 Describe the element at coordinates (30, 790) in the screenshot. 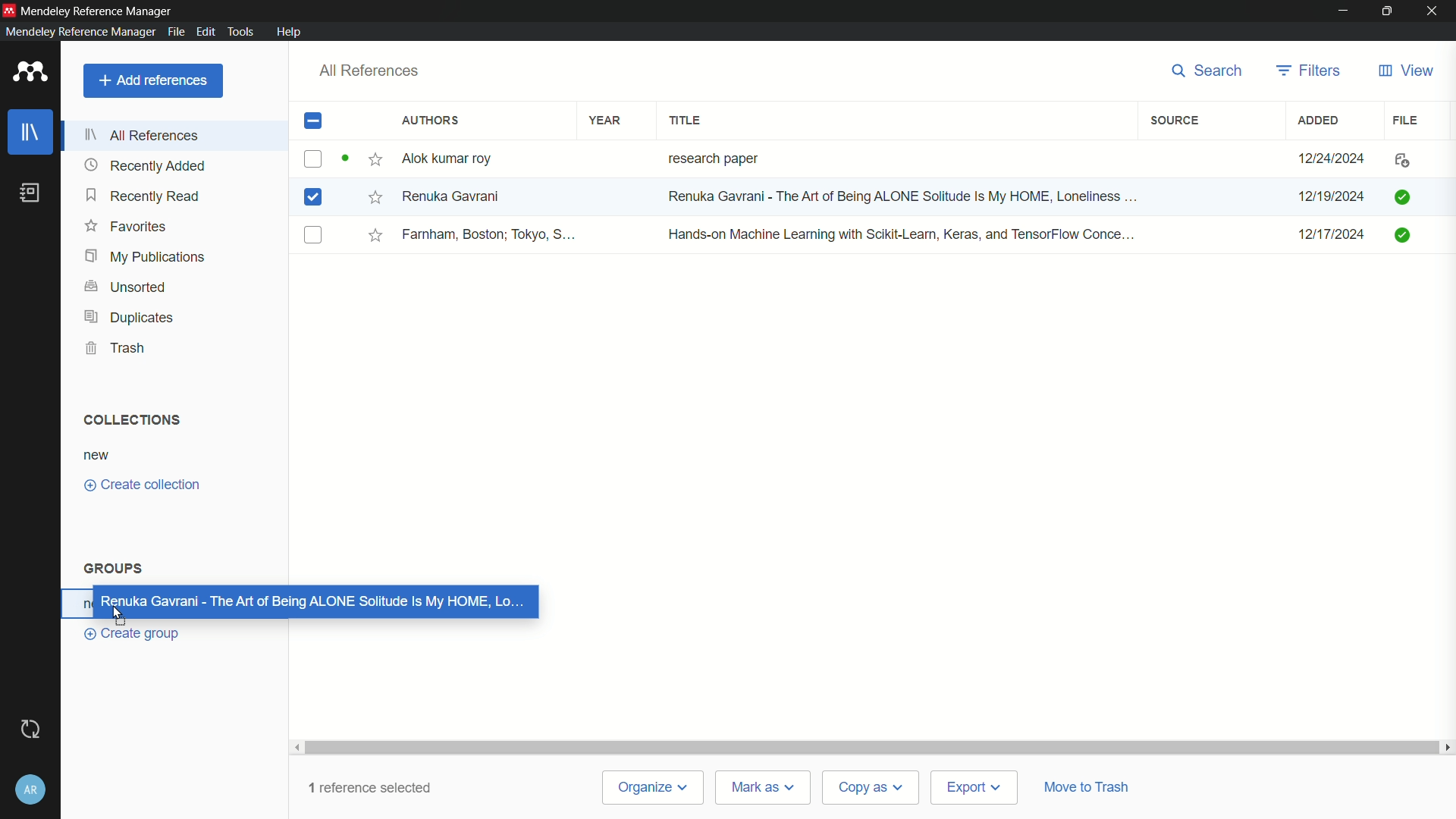

I see `account and help` at that location.